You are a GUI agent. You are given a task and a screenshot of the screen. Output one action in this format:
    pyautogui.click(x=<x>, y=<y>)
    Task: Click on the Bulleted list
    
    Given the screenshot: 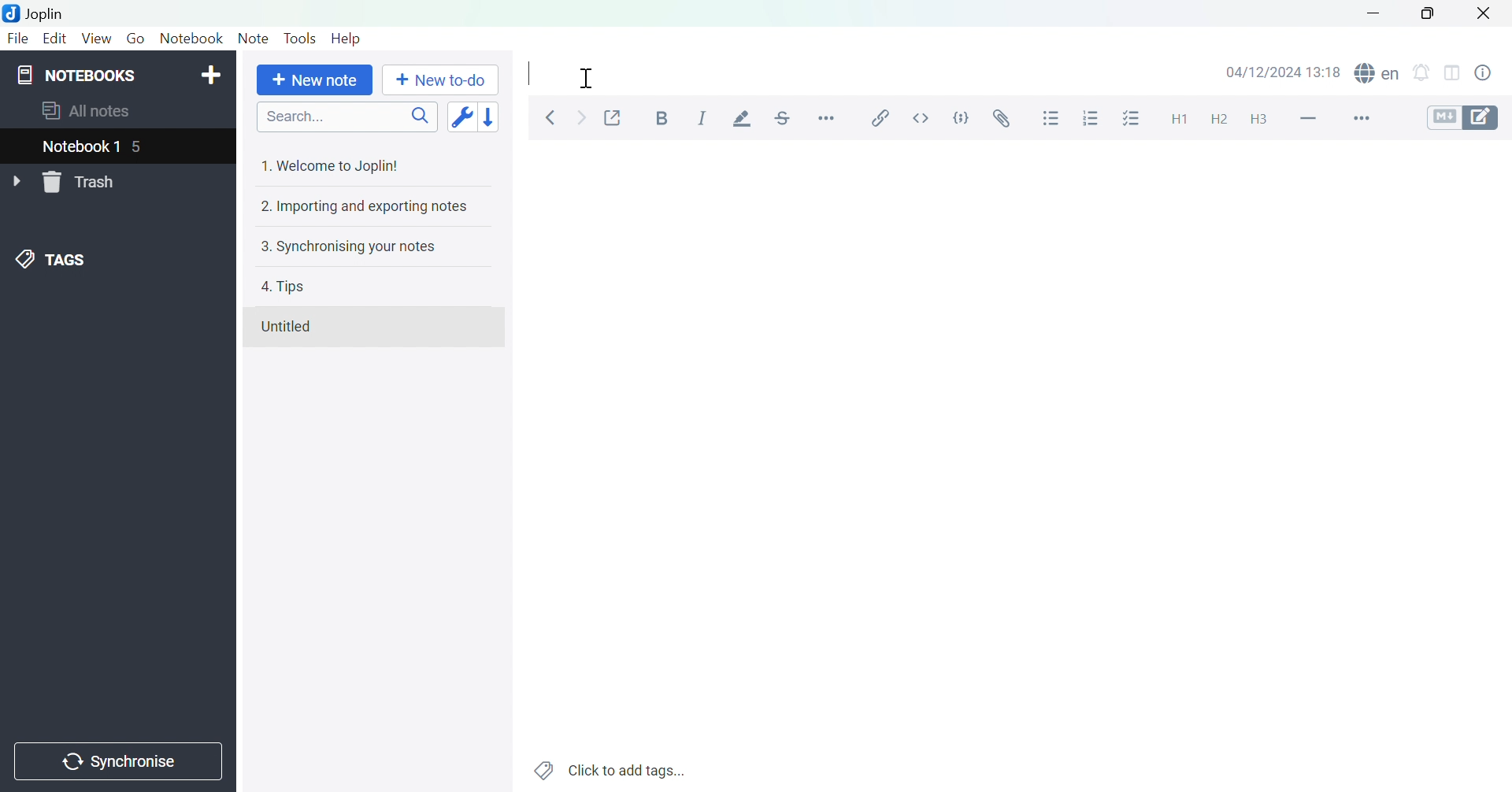 What is the action you would take?
    pyautogui.click(x=1052, y=120)
    